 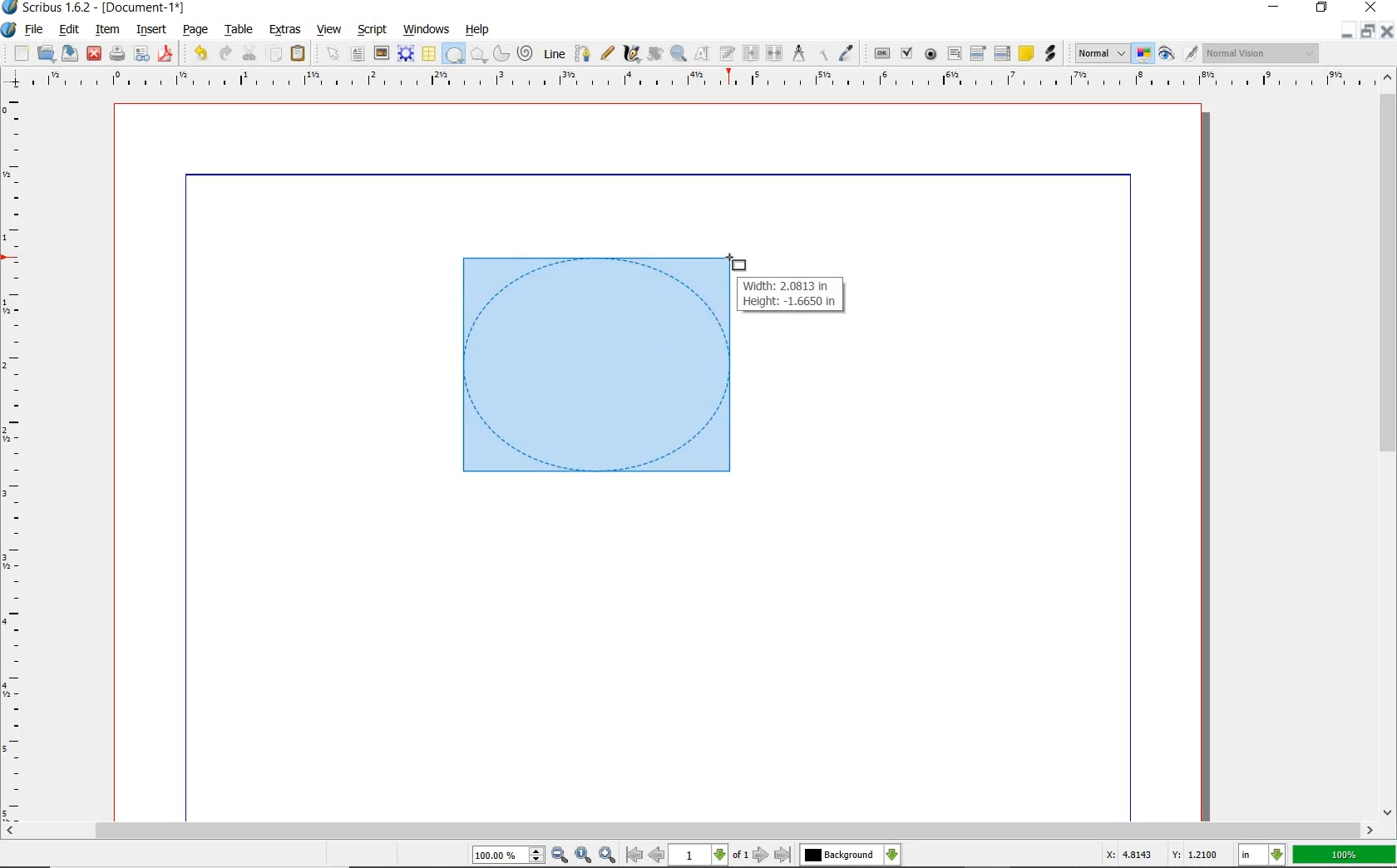 I want to click on IMAGE, so click(x=381, y=52).